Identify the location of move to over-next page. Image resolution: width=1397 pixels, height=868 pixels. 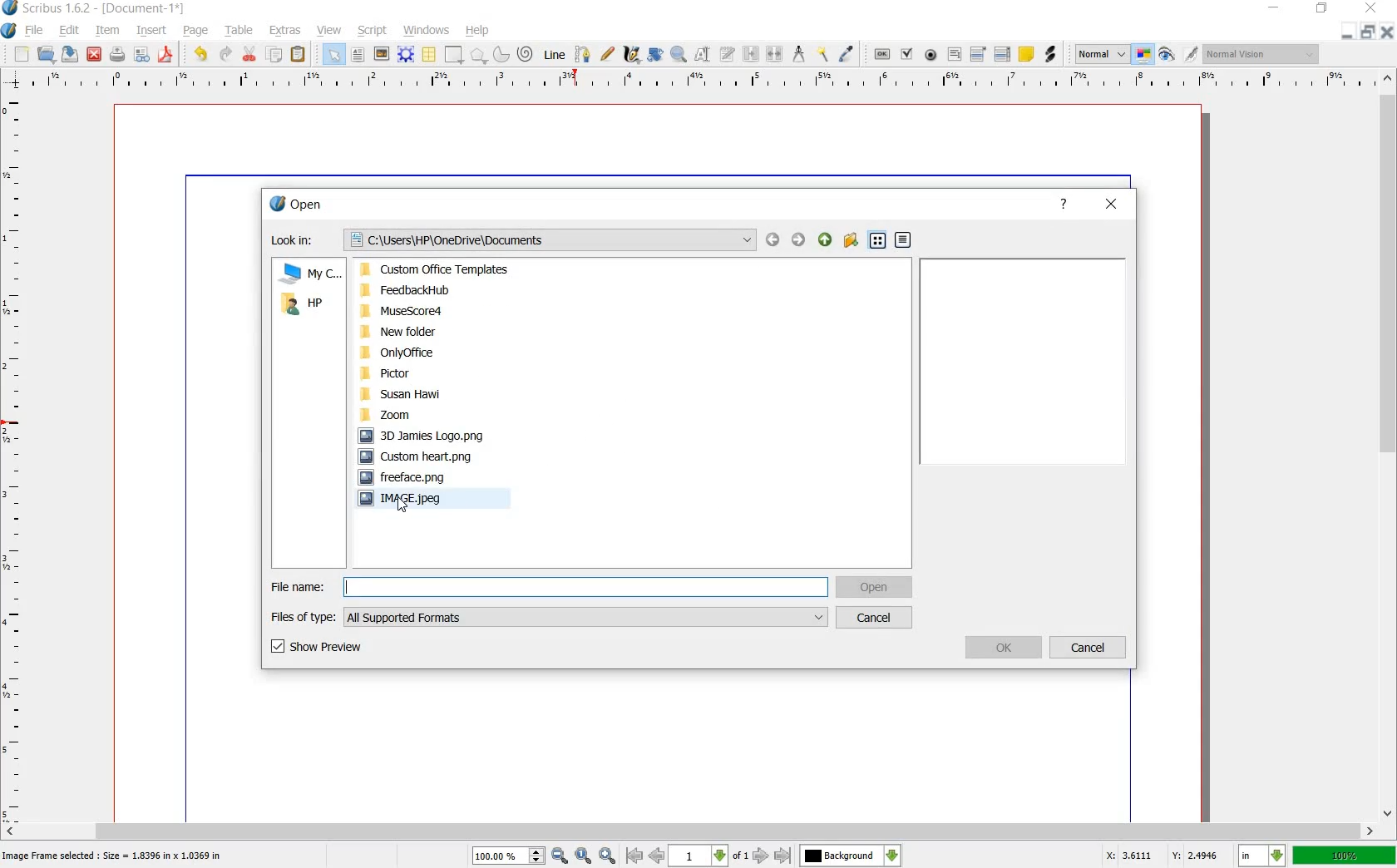
(786, 857).